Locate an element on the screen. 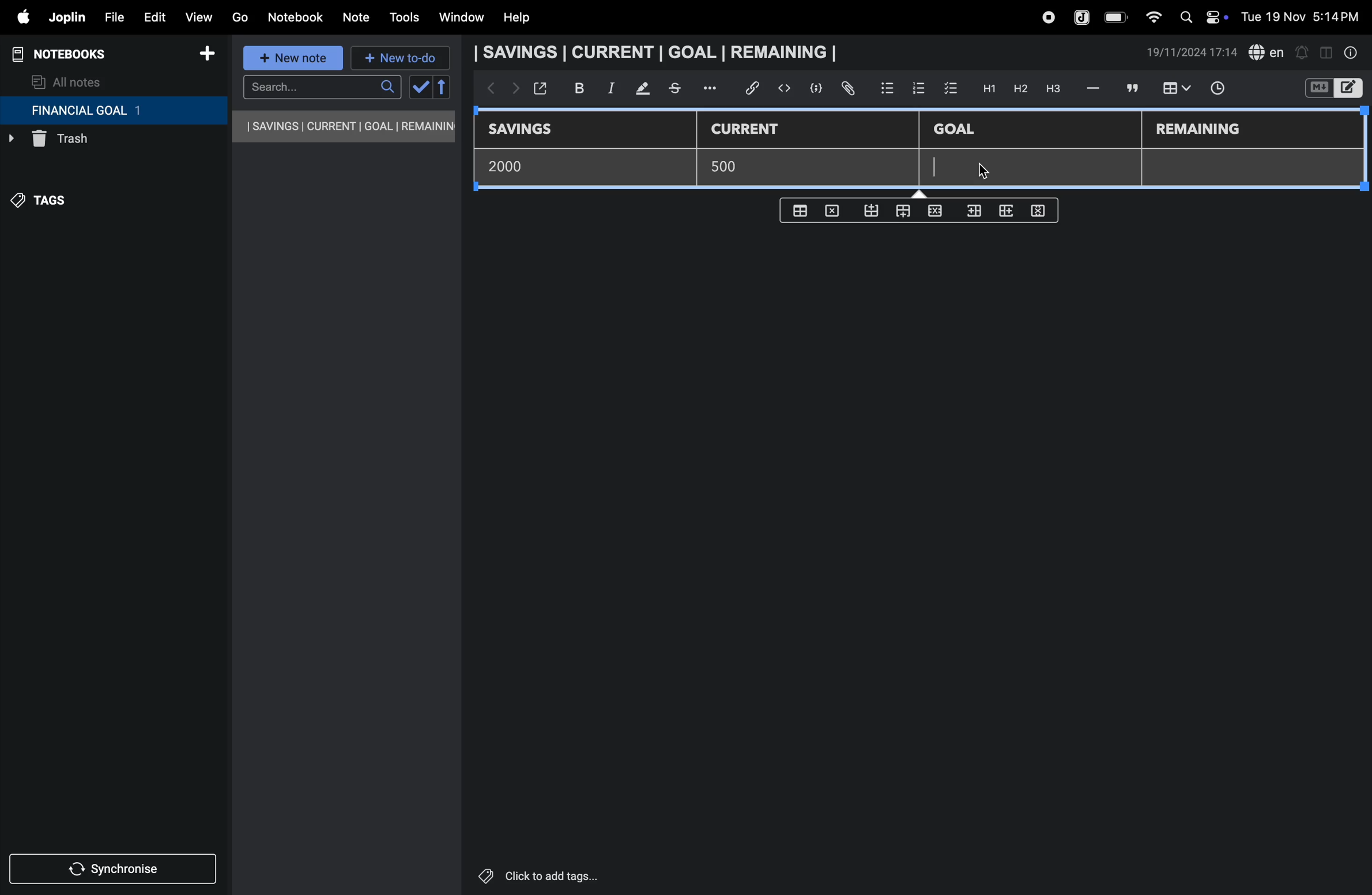 This screenshot has width=1372, height=895. inser rows is located at coordinates (972, 213).